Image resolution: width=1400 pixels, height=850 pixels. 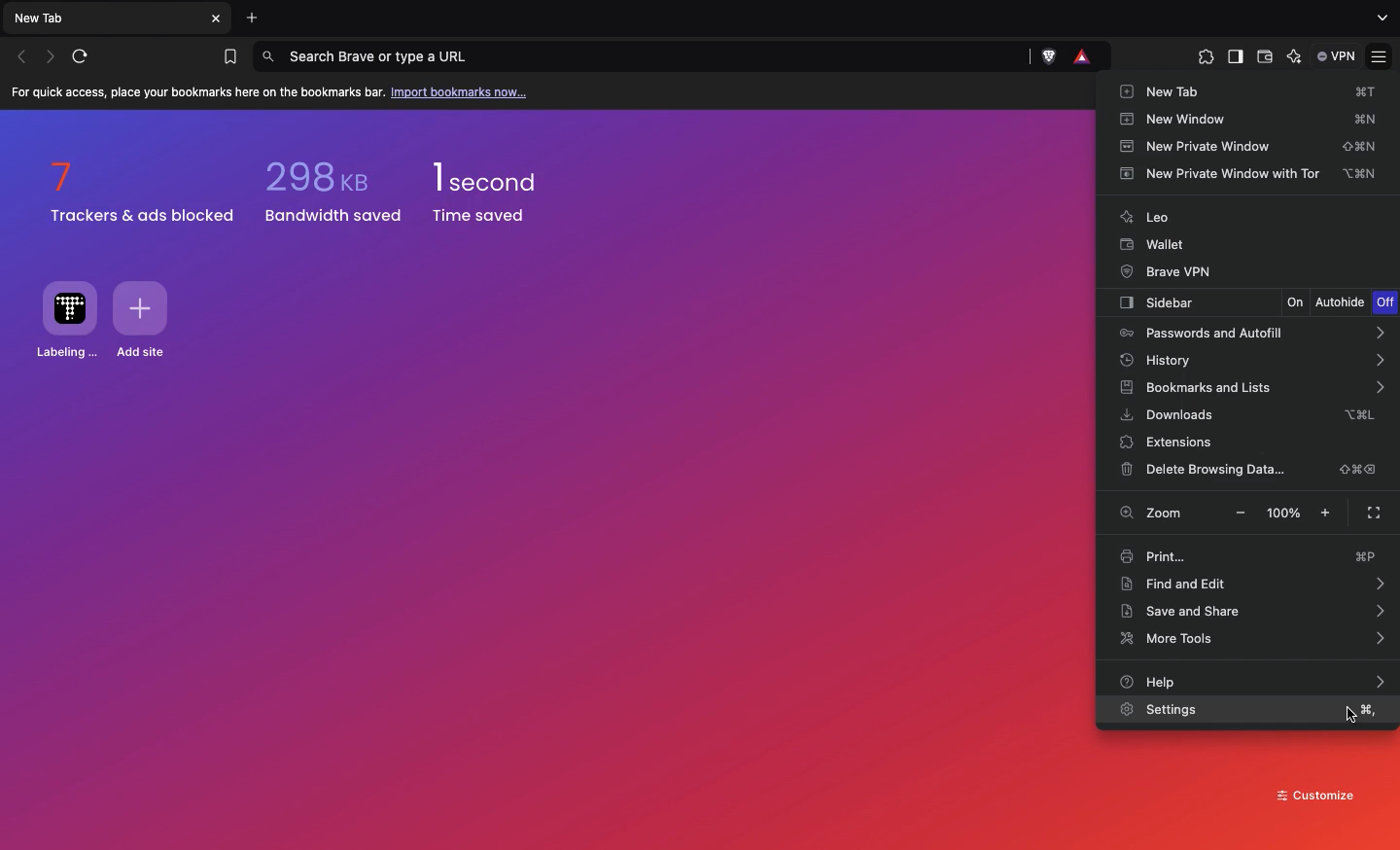 What do you see at coordinates (51, 55) in the screenshot?
I see `Click to go forward, hold to see history` at bounding box center [51, 55].